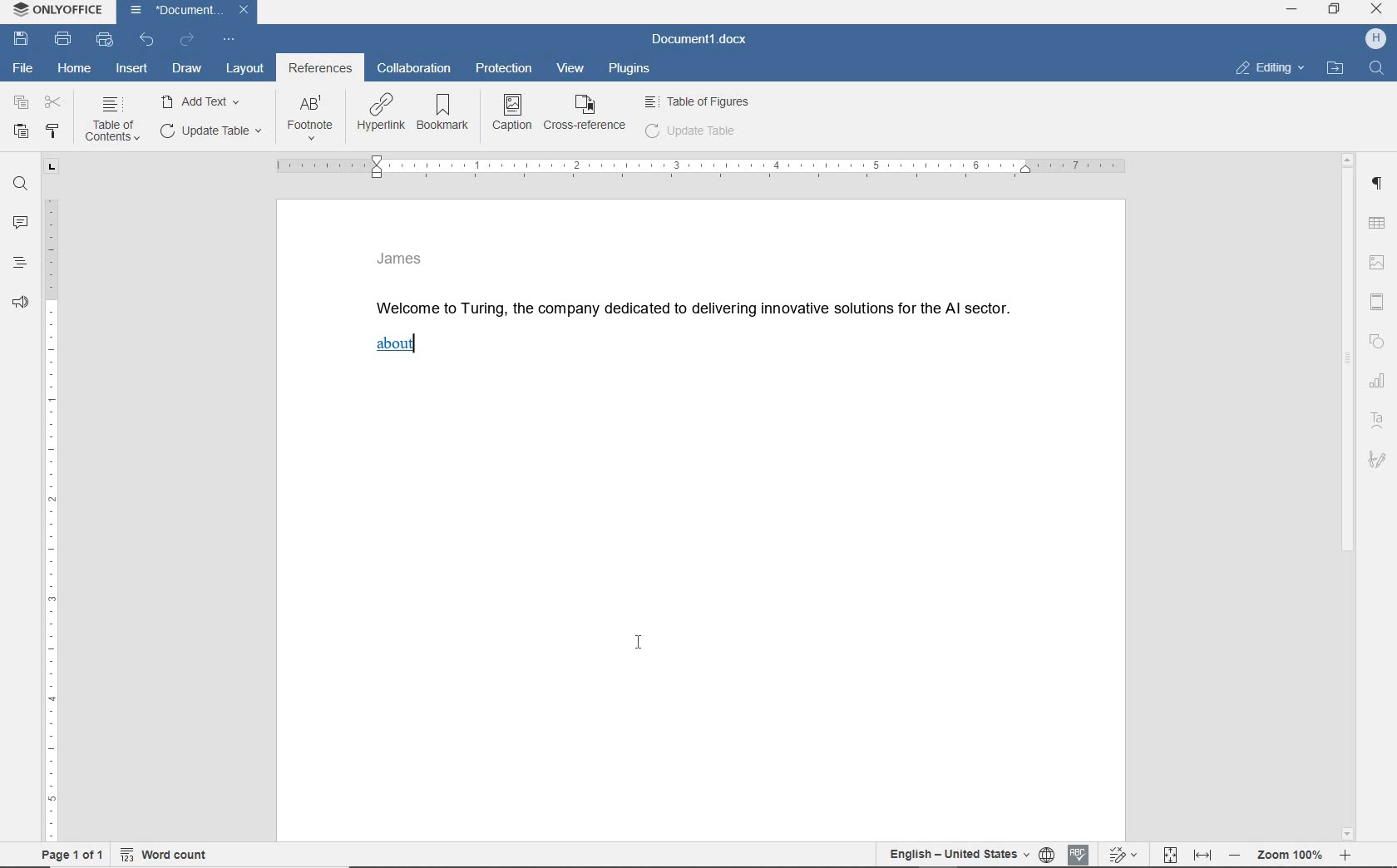  What do you see at coordinates (1381, 419) in the screenshot?
I see `Text art` at bounding box center [1381, 419].